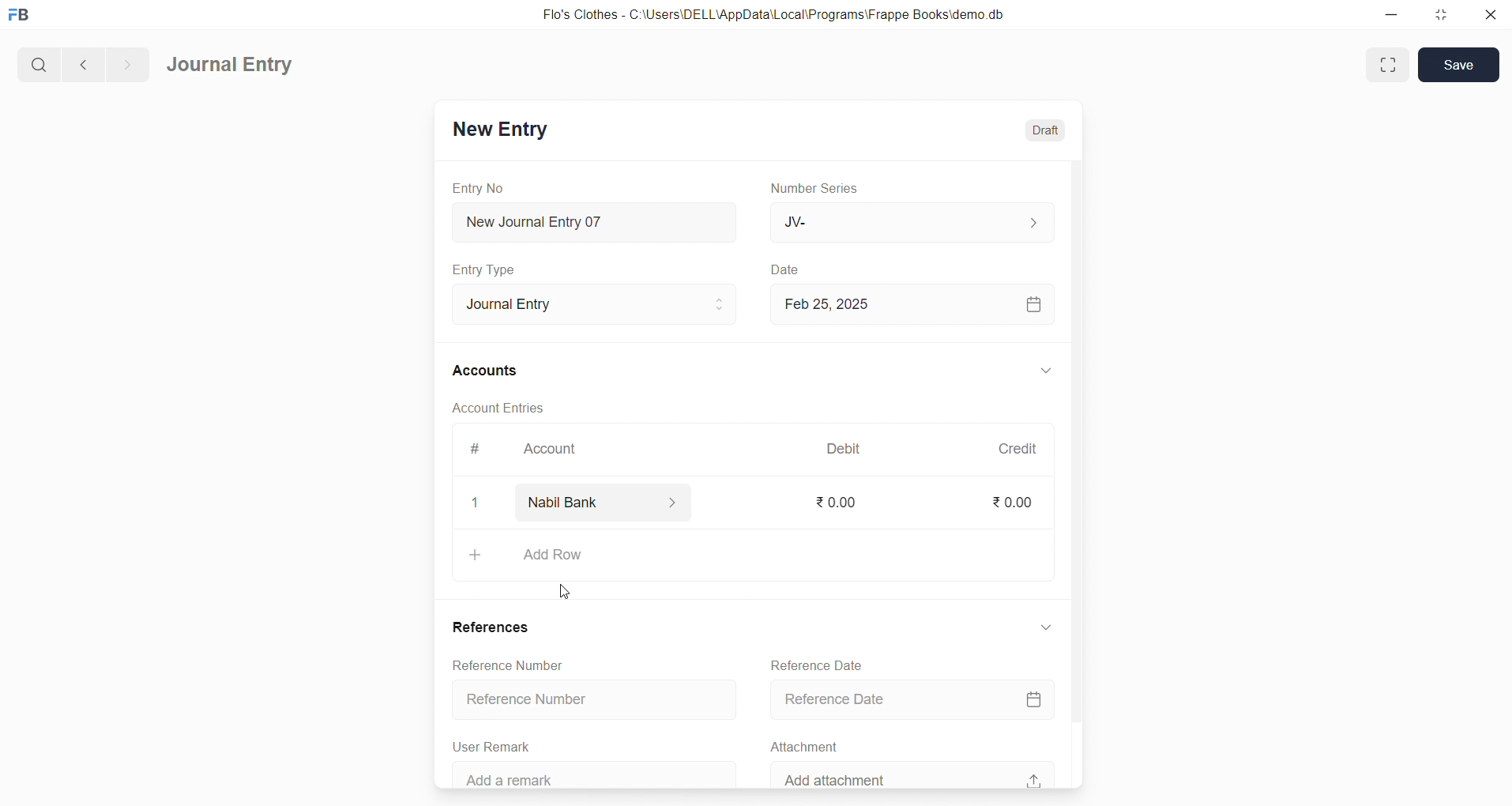  What do you see at coordinates (1390, 16) in the screenshot?
I see `minimize` at bounding box center [1390, 16].